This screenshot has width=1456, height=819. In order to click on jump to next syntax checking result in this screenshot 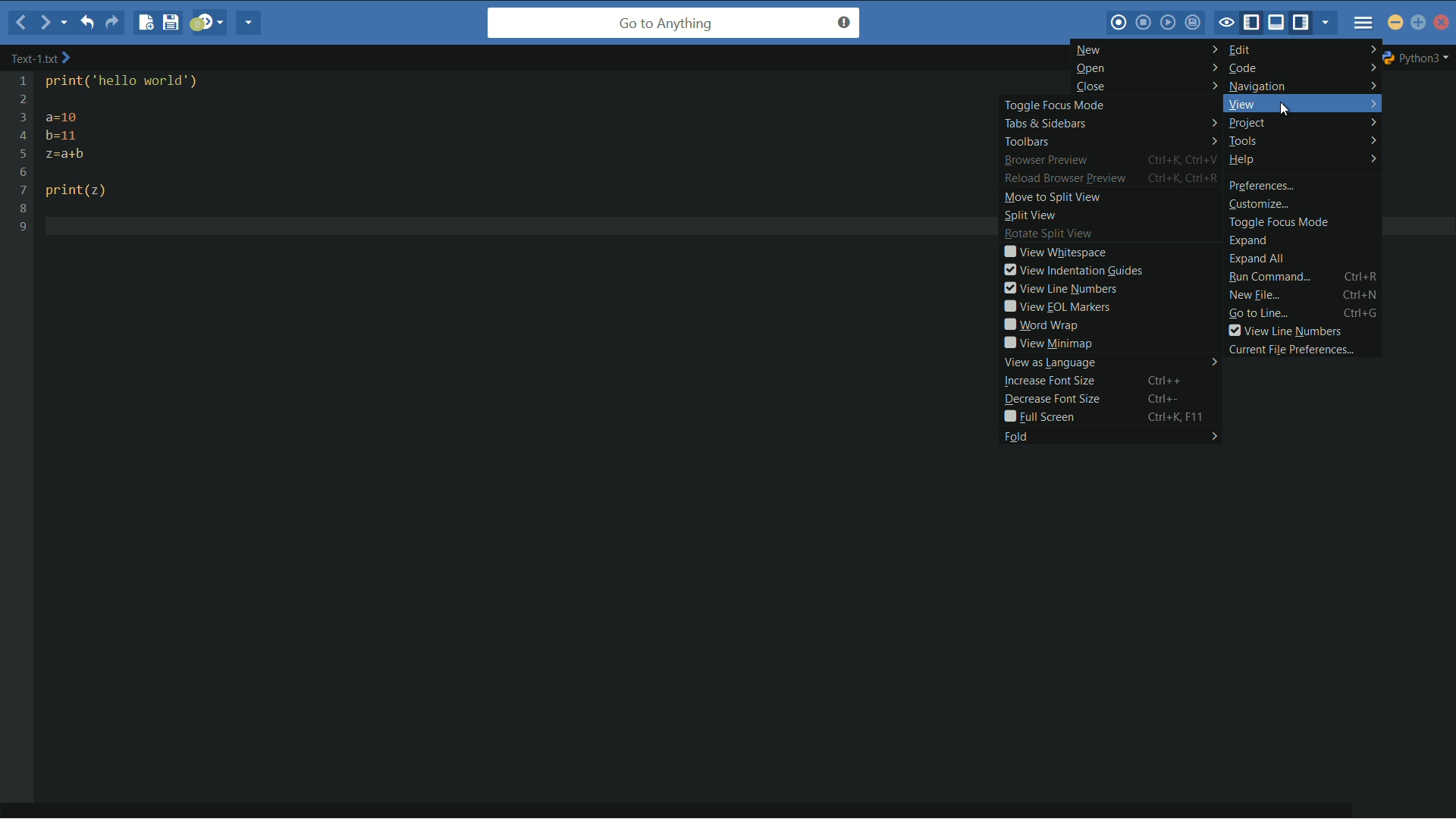, I will do `click(208, 24)`.